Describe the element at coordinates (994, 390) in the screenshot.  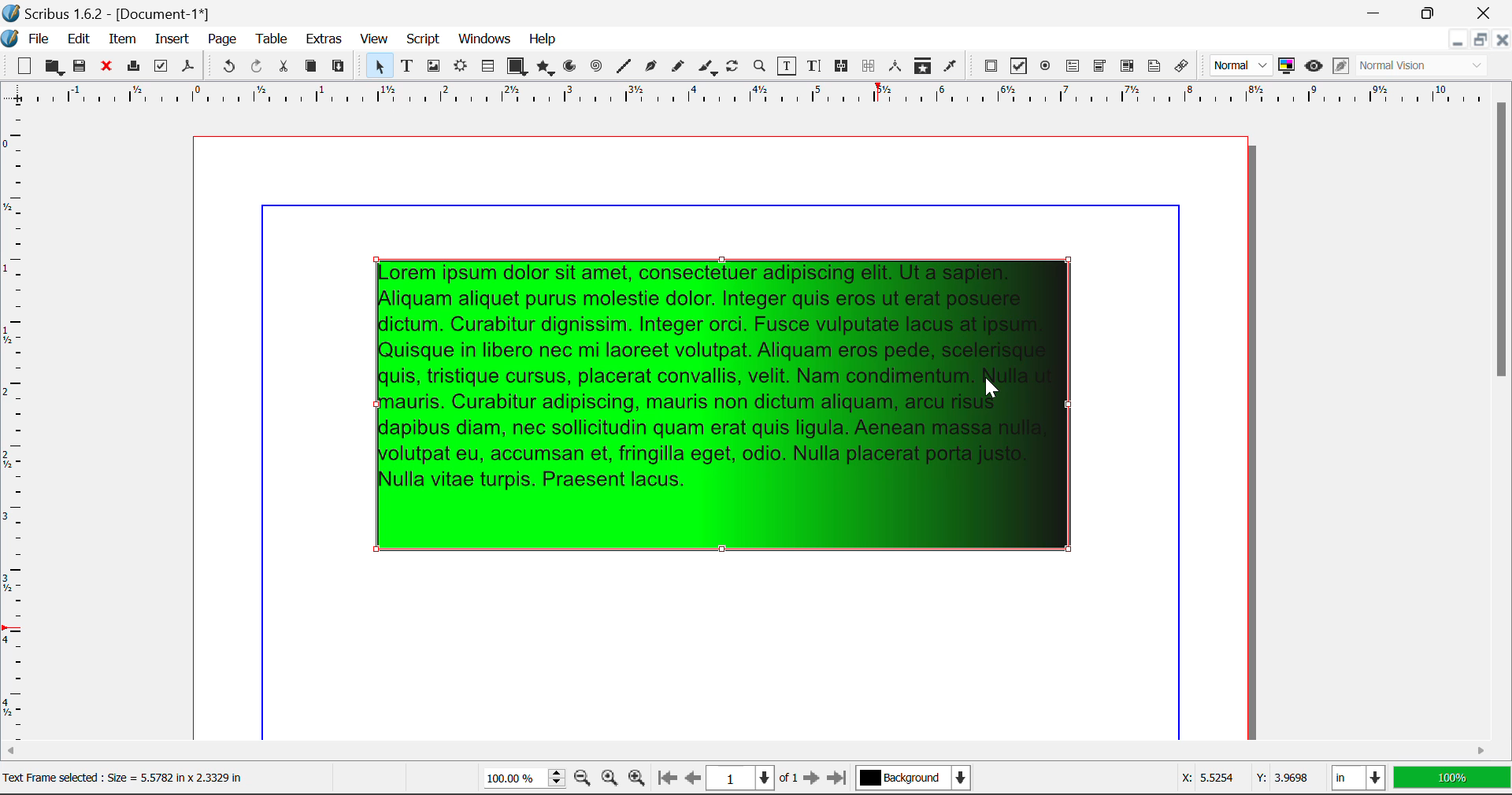
I see `Cursor Position AFTER_LAST_ACTION` at that location.